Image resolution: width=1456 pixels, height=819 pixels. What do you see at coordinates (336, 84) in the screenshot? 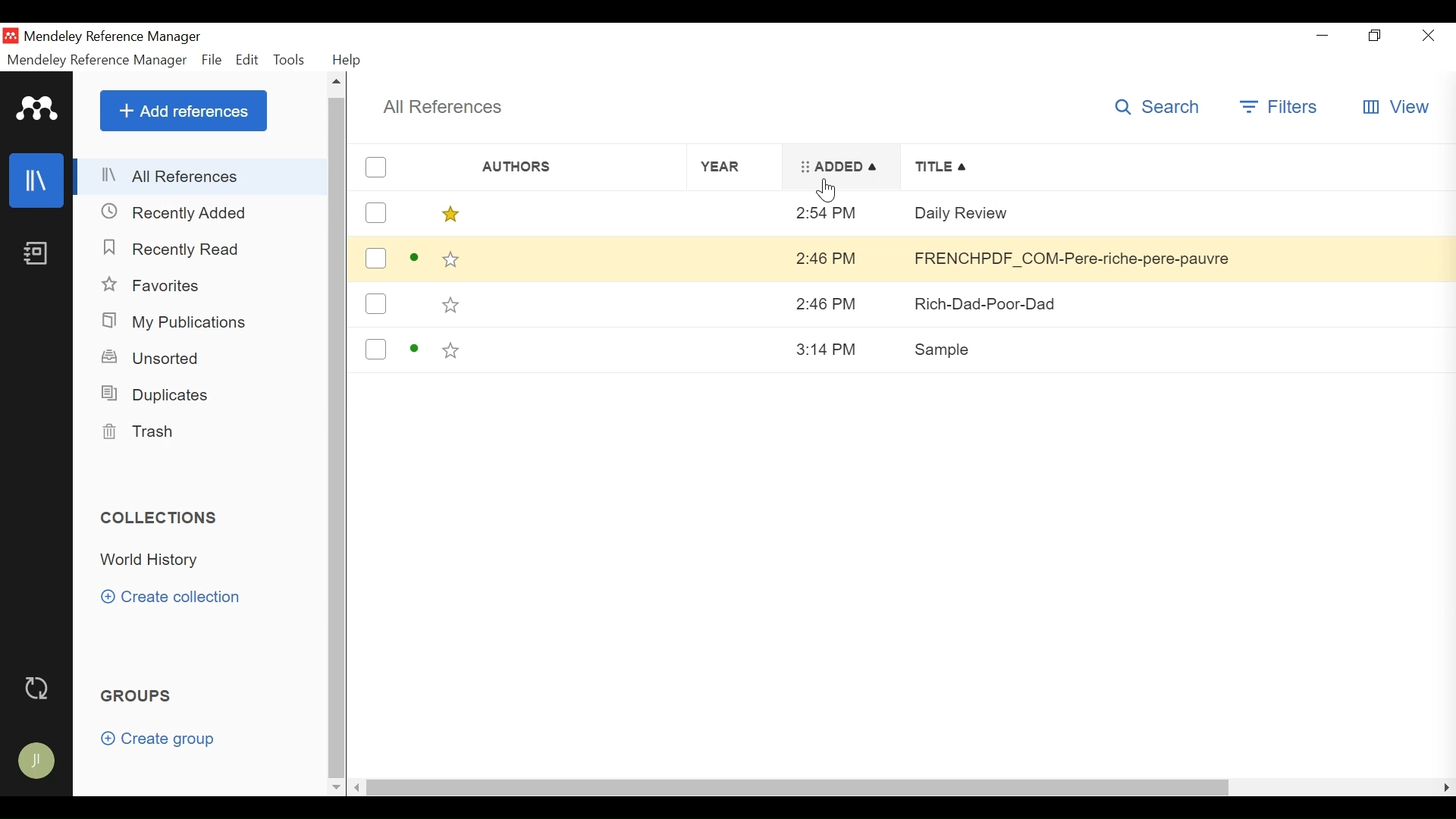
I see `Scroll up` at bounding box center [336, 84].